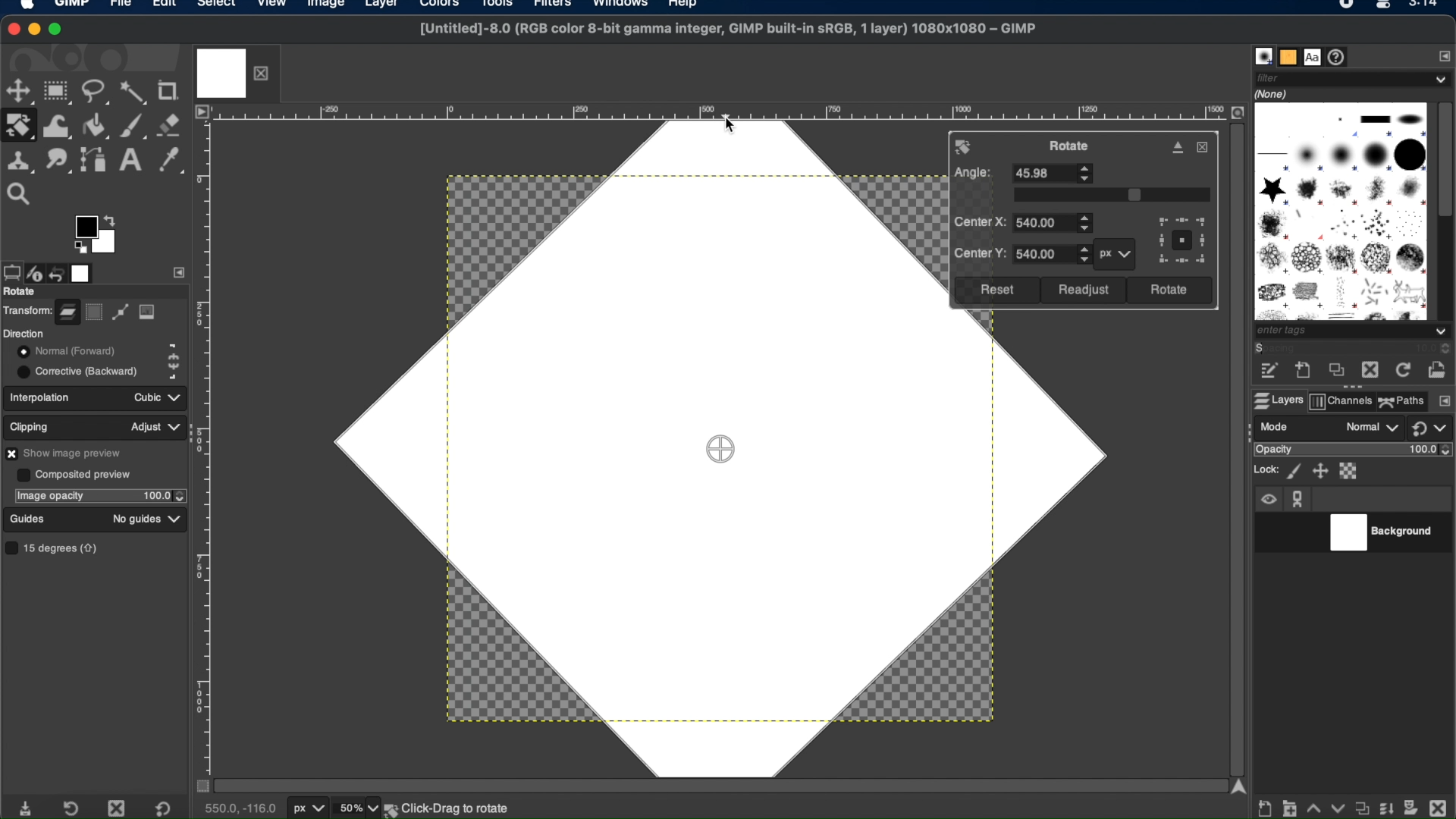 Image resolution: width=1456 pixels, height=819 pixels. Describe the element at coordinates (221, 72) in the screenshot. I see `image tab` at that location.